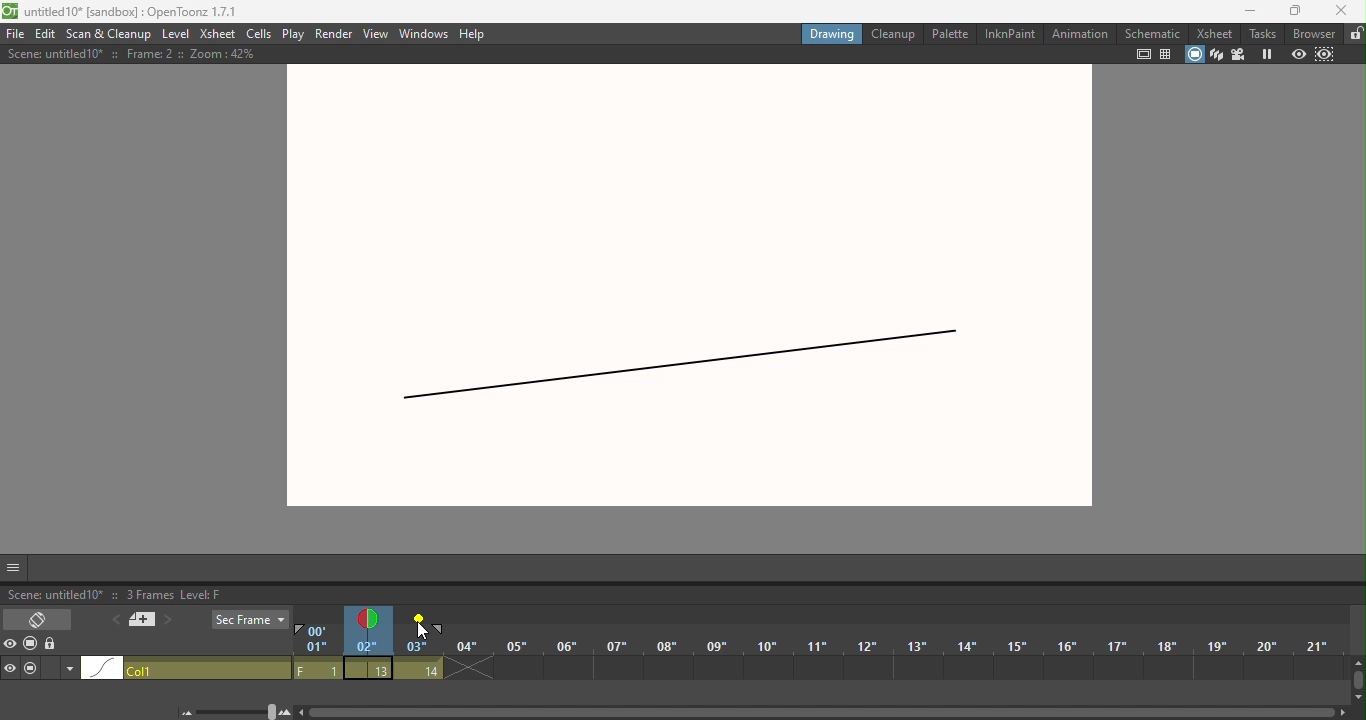  Describe the element at coordinates (130, 54) in the screenshot. I see `Scene: untitled10* :: Frame: 2 :: Zoom: 42%` at that location.